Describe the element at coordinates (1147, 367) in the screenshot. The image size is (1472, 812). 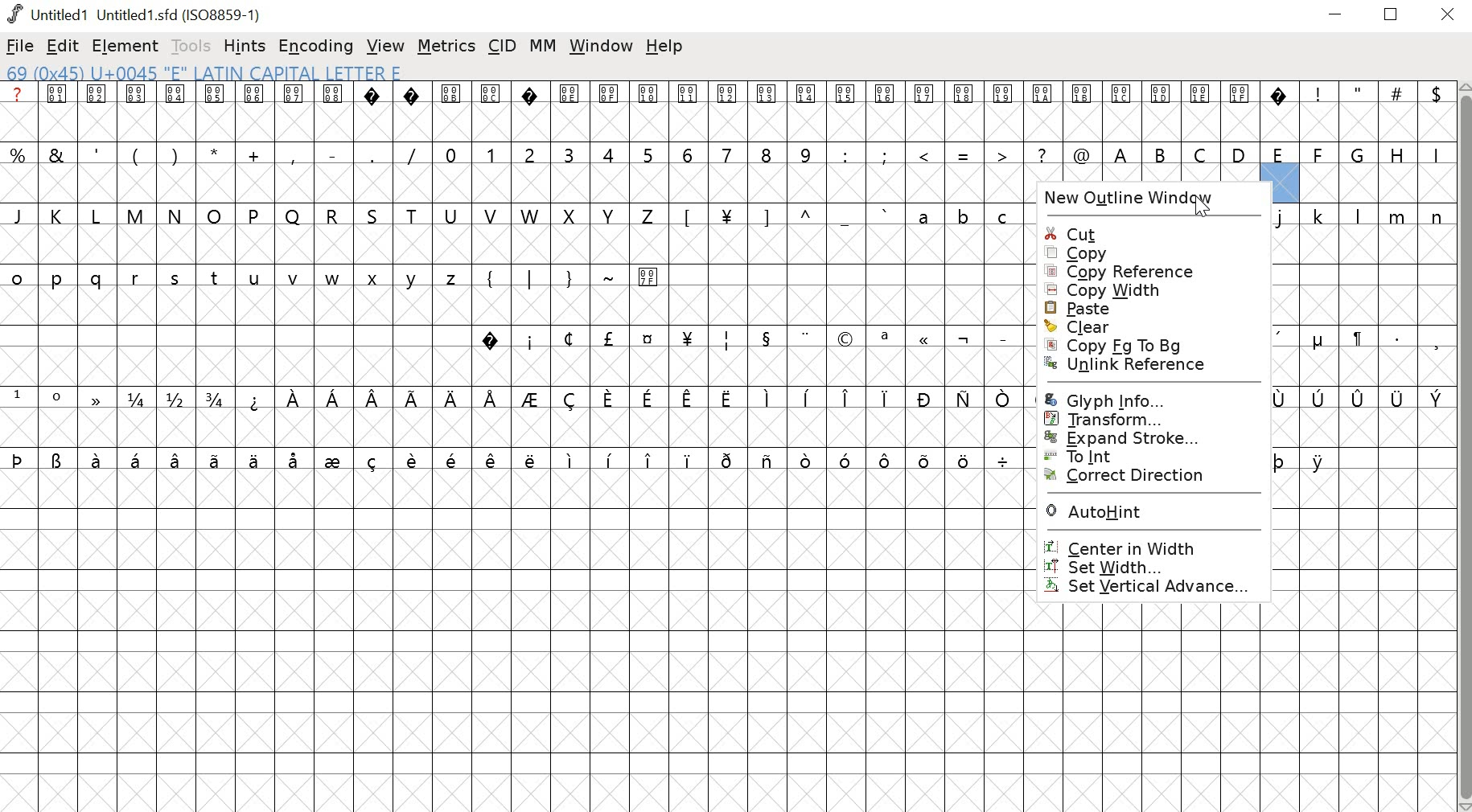
I see `UNLINK REFERENCE` at that location.